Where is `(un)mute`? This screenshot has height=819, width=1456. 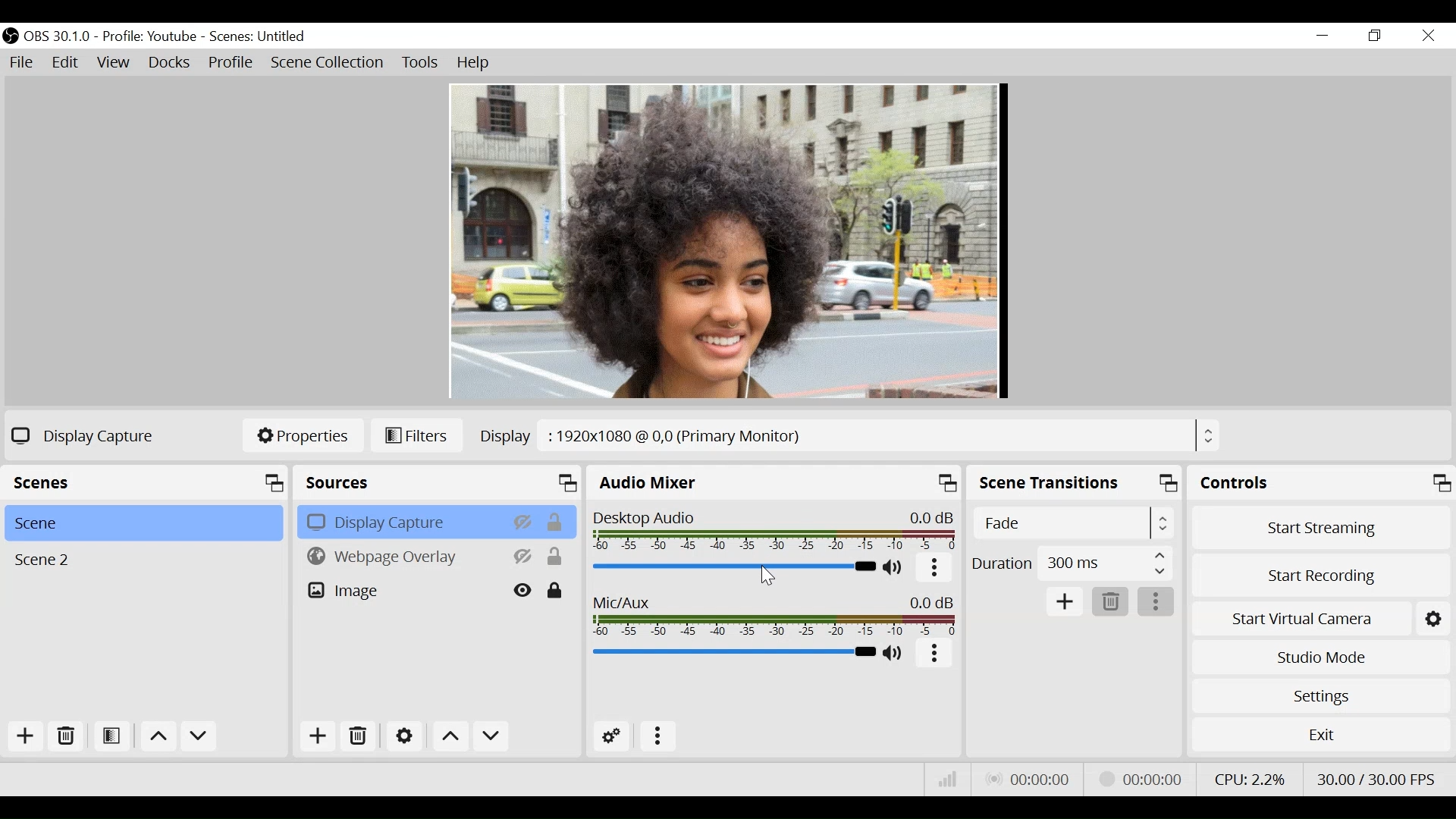
(un)mute is located at coordinates (897, 653).